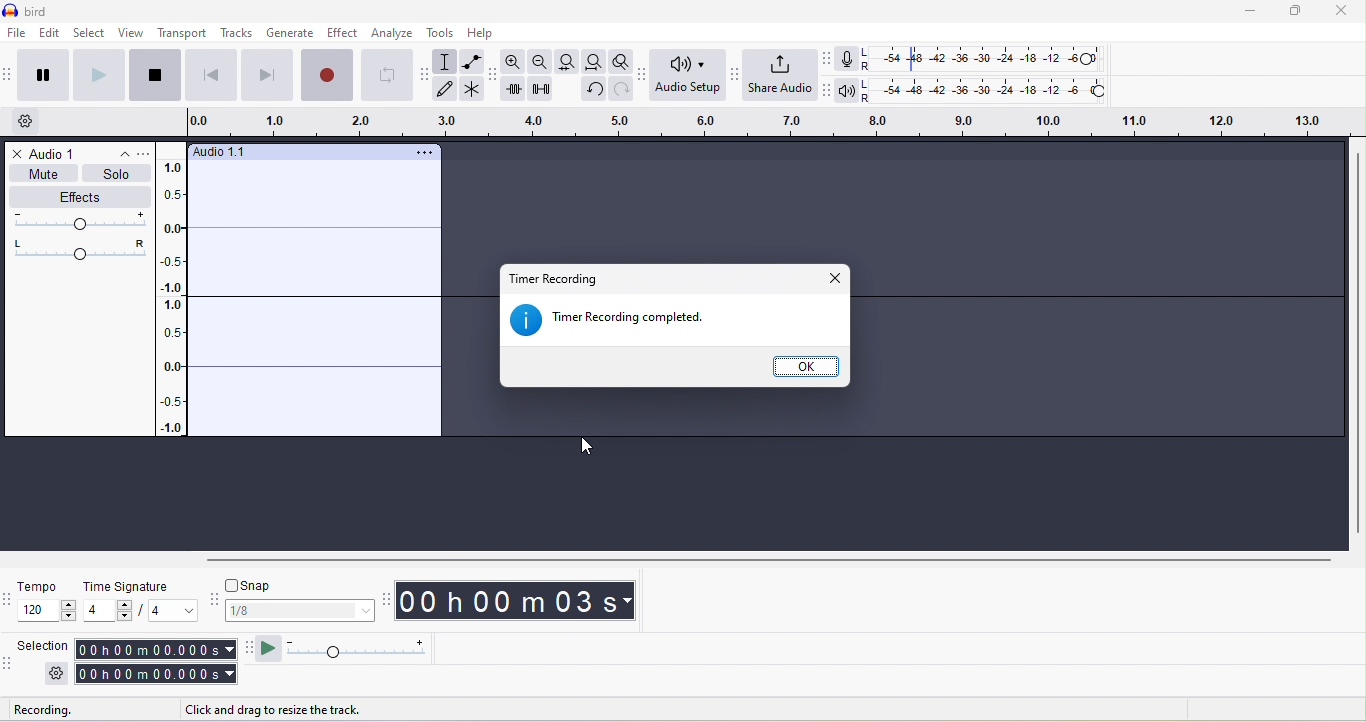 The width and height of the screenshot is (1366, 722). I want to click on playback level, so click(993, 91).